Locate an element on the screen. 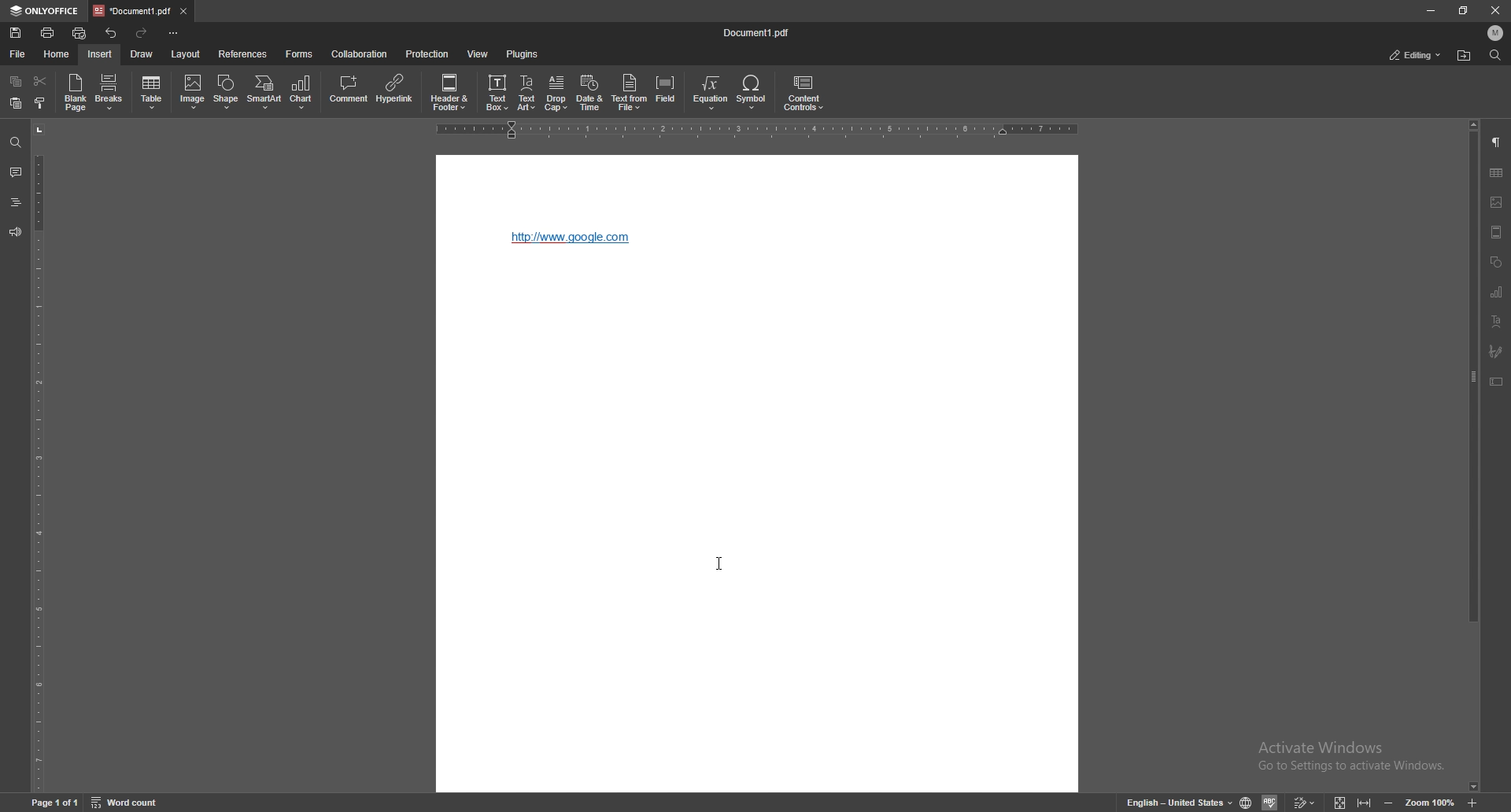  breaks is located at coordinates (109, 91).